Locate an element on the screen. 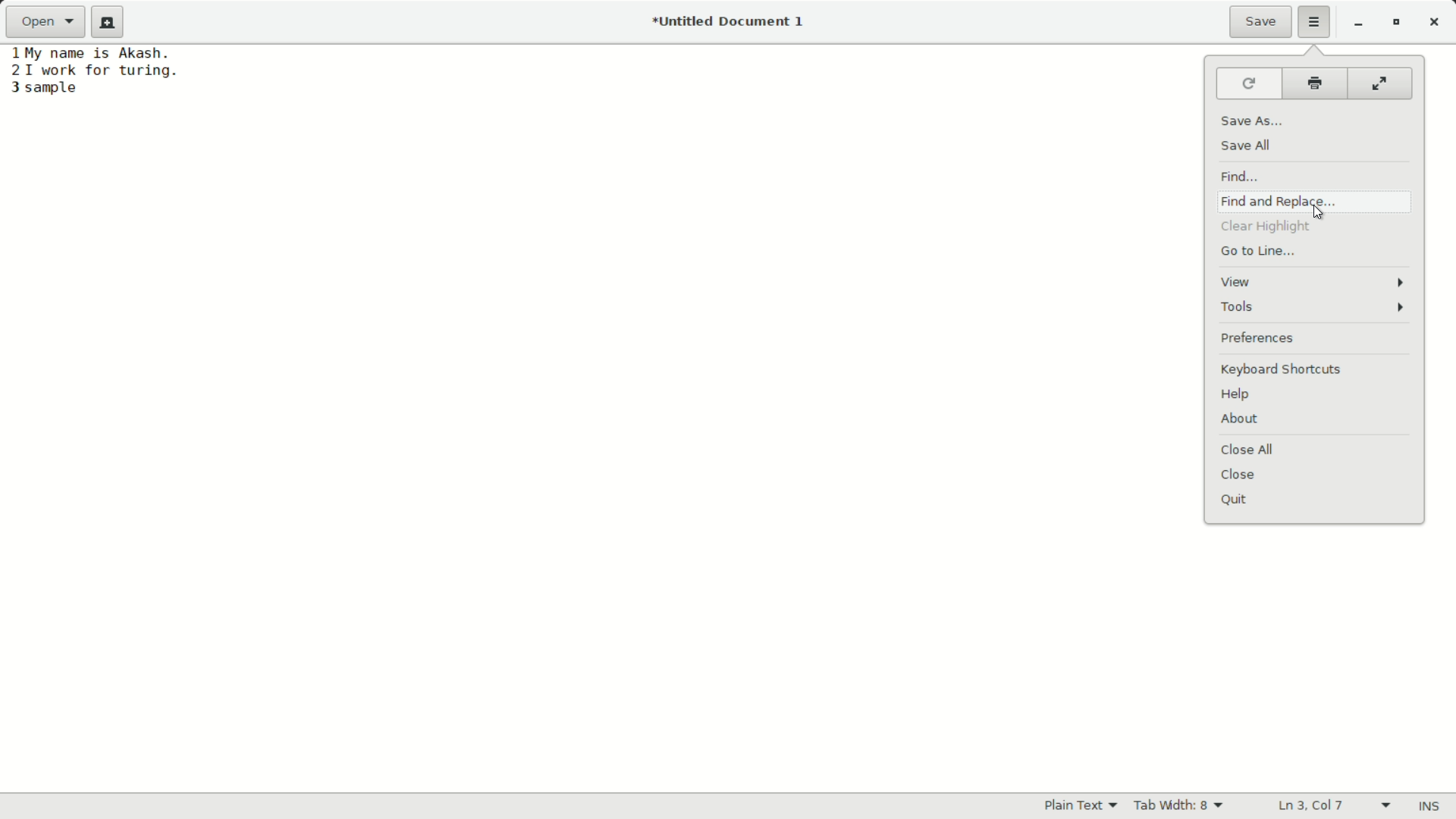  find is located at coordinates (1238, 175).